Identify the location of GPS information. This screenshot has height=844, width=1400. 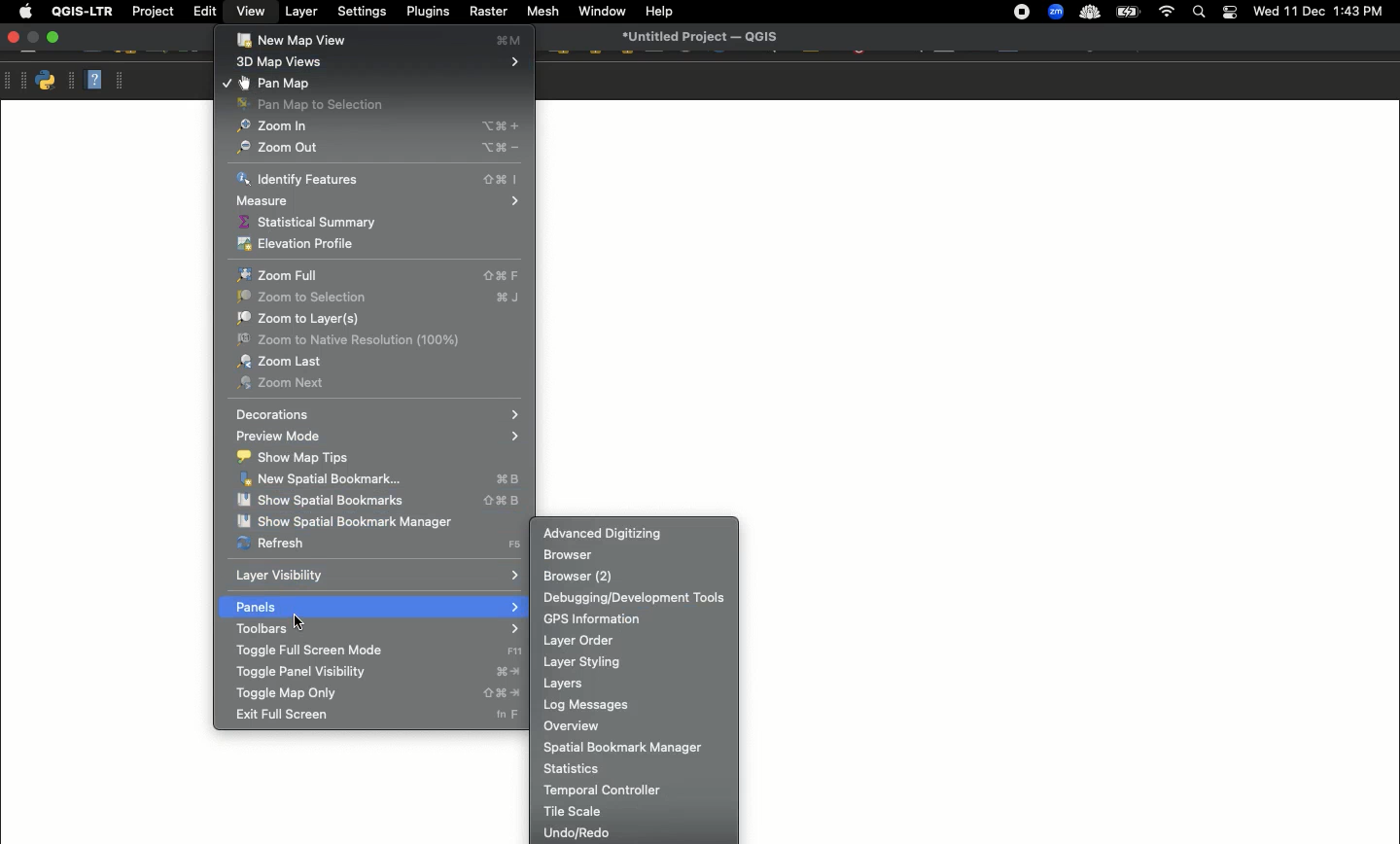
(633, 618).